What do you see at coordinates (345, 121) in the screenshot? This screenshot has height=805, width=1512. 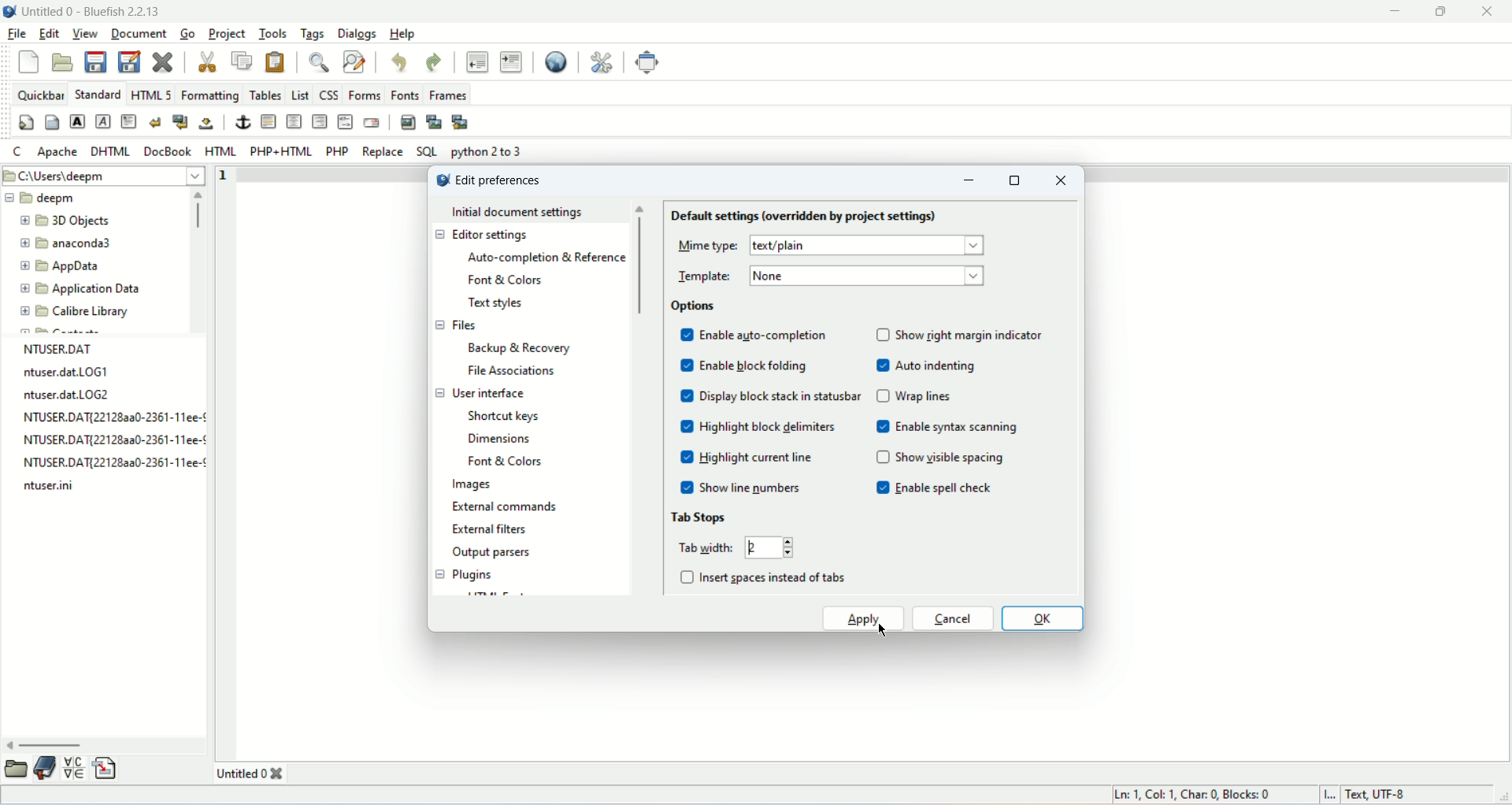 I see `HTML comment` at bounding box center [345, 121].